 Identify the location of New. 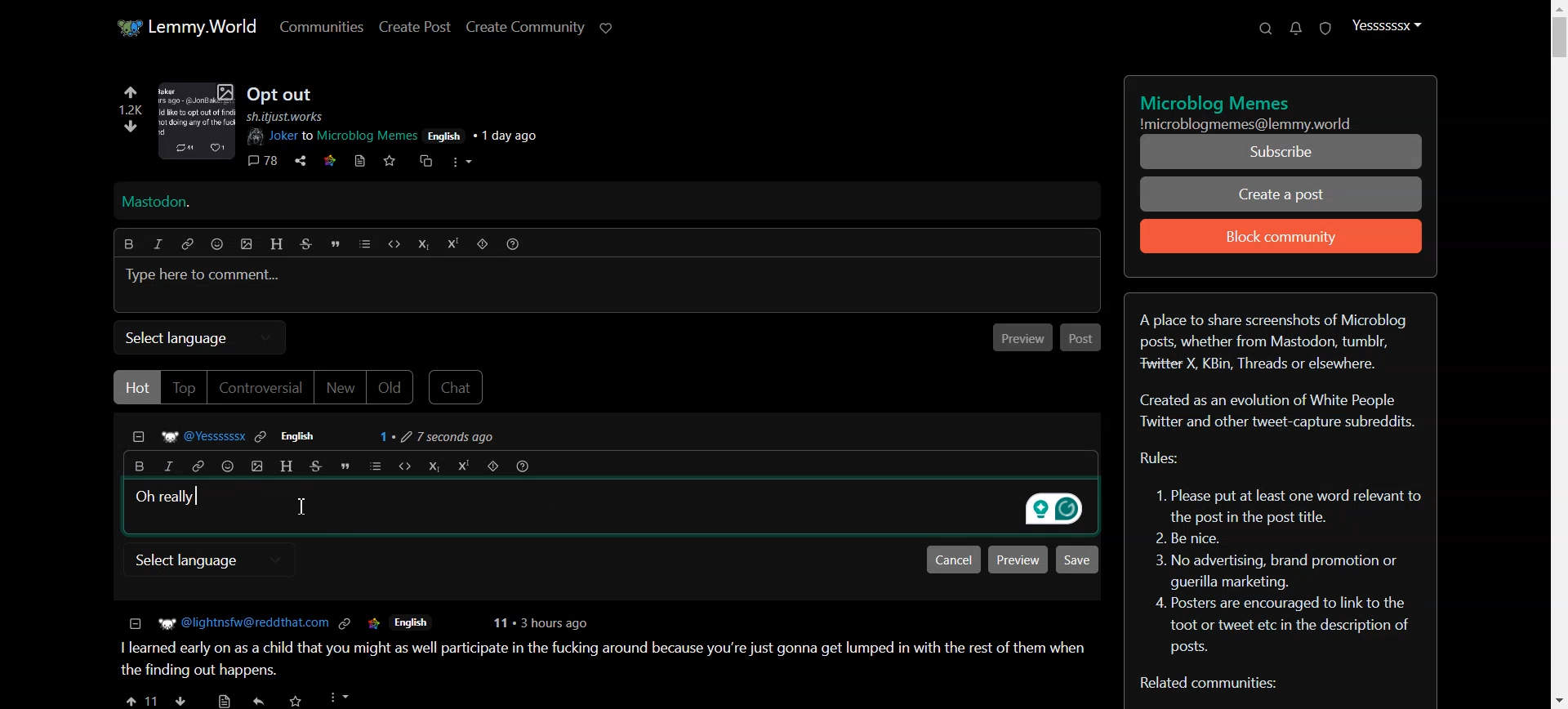
(341, 388).